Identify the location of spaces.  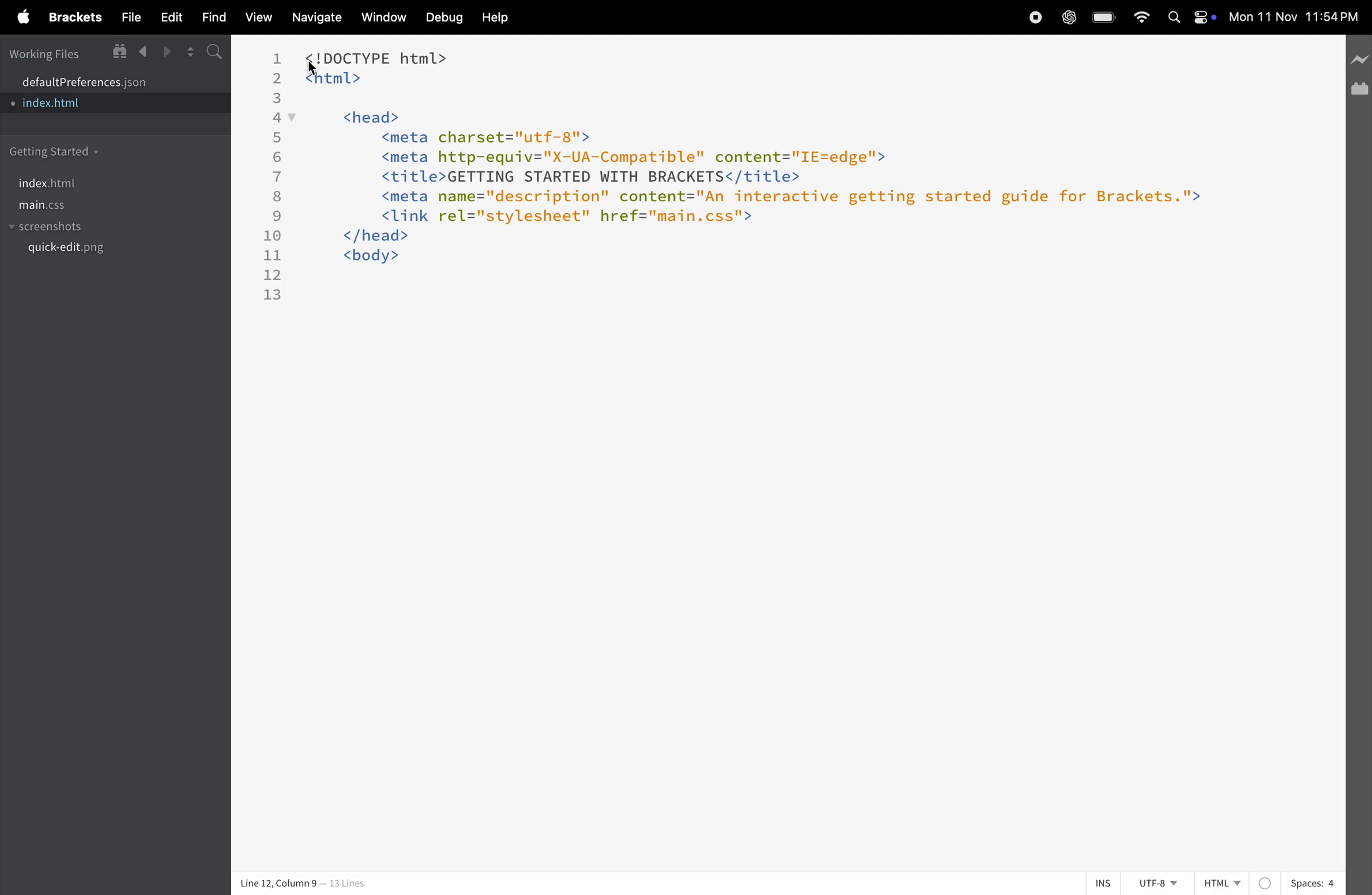
(1312, 883).